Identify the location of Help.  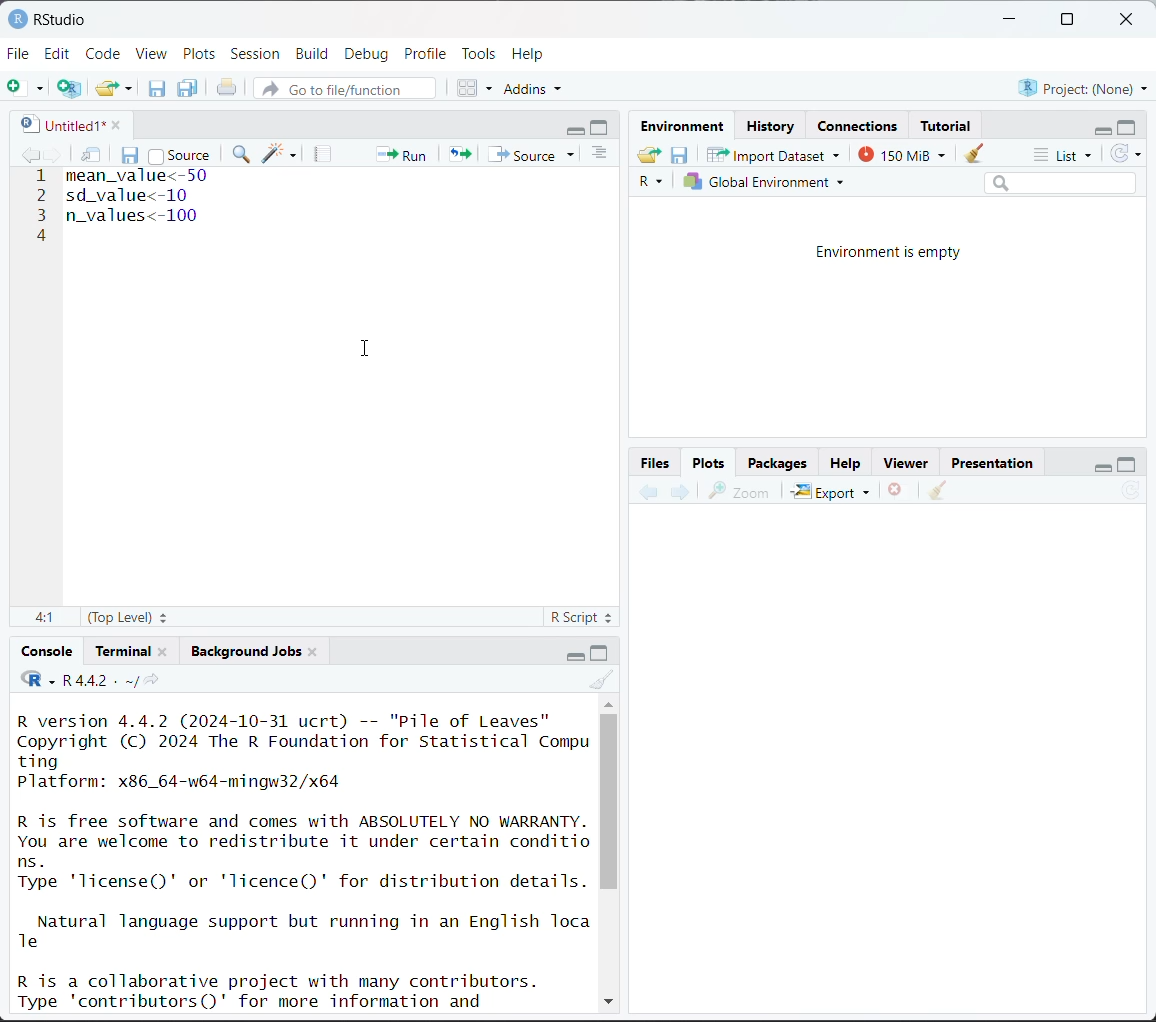
(845, 465).